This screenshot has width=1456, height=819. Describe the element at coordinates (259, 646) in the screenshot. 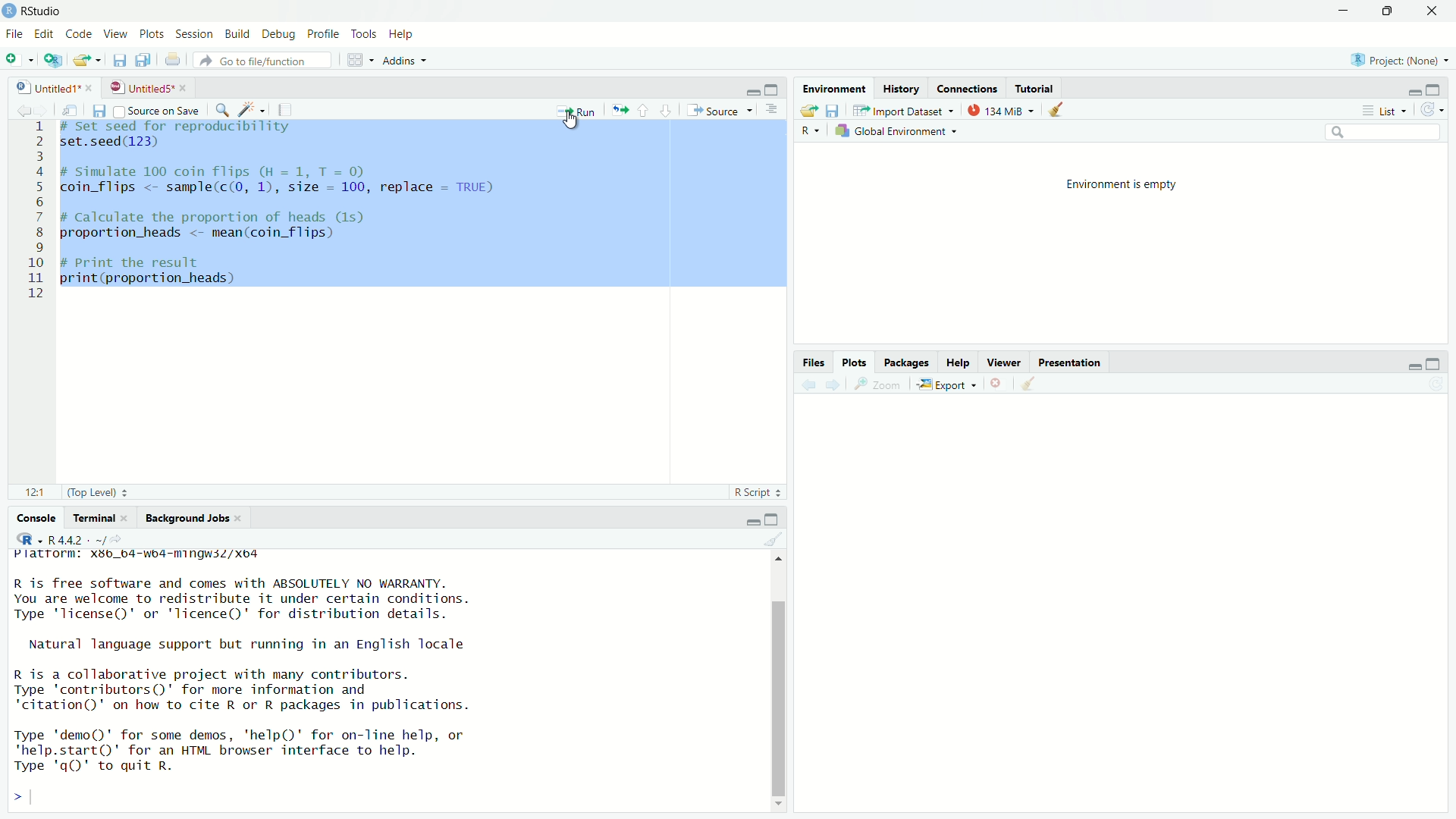

I see `Natural language support but running in an English locale` at that location.